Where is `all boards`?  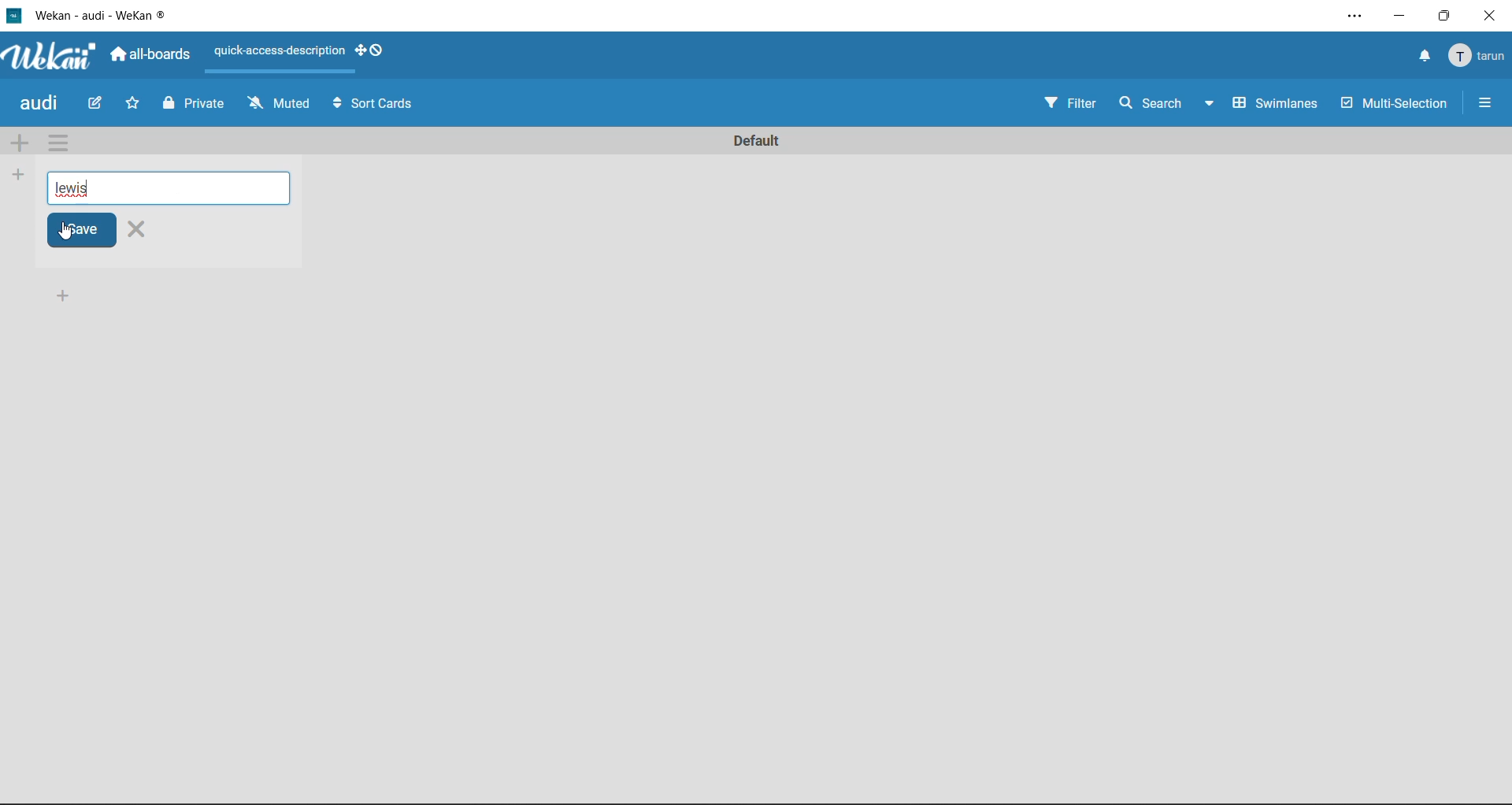
all boards is located at coordinates (154, 56).